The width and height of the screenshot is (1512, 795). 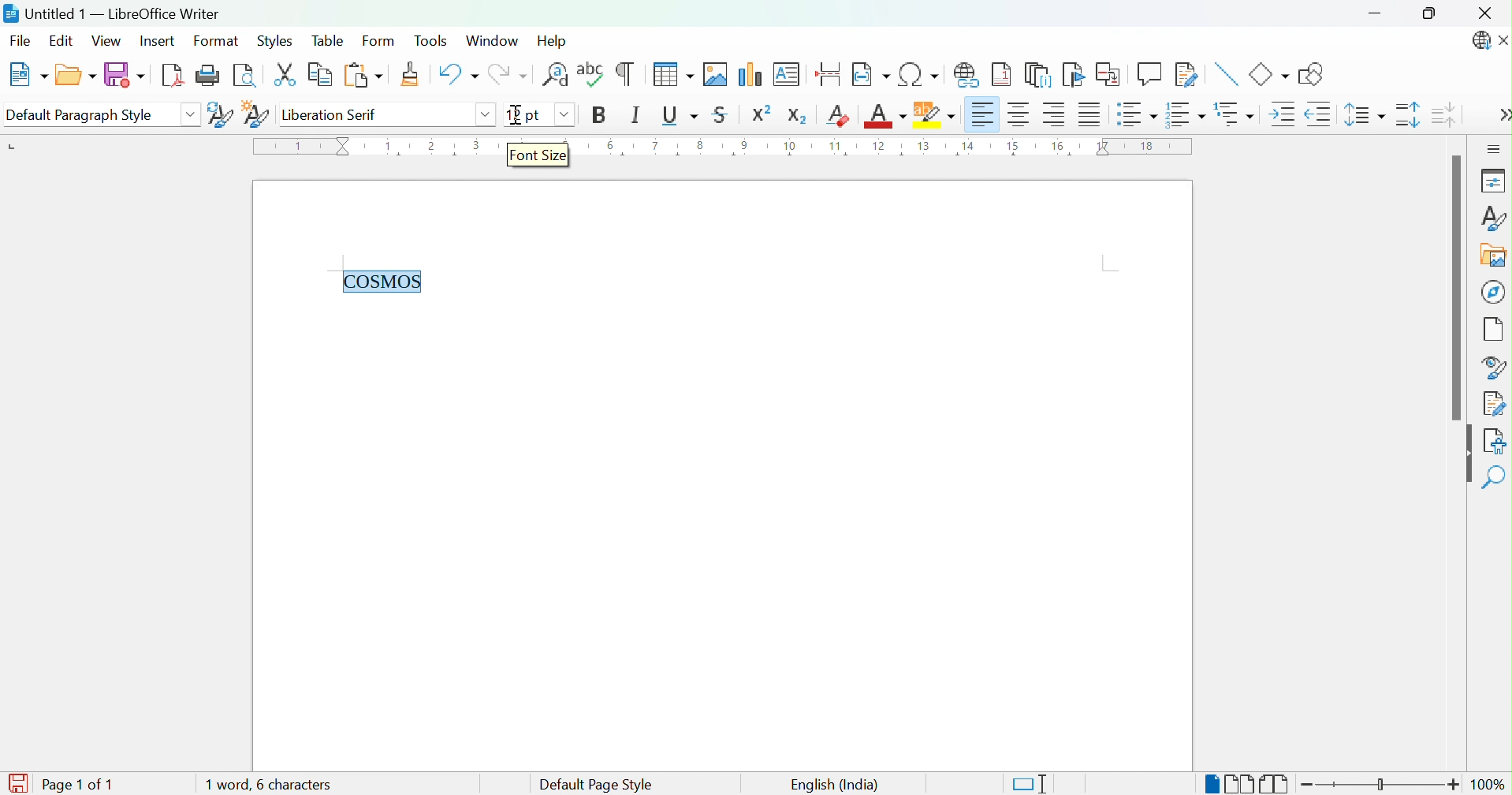 I want to click on More, so click(x=1503, y=117).